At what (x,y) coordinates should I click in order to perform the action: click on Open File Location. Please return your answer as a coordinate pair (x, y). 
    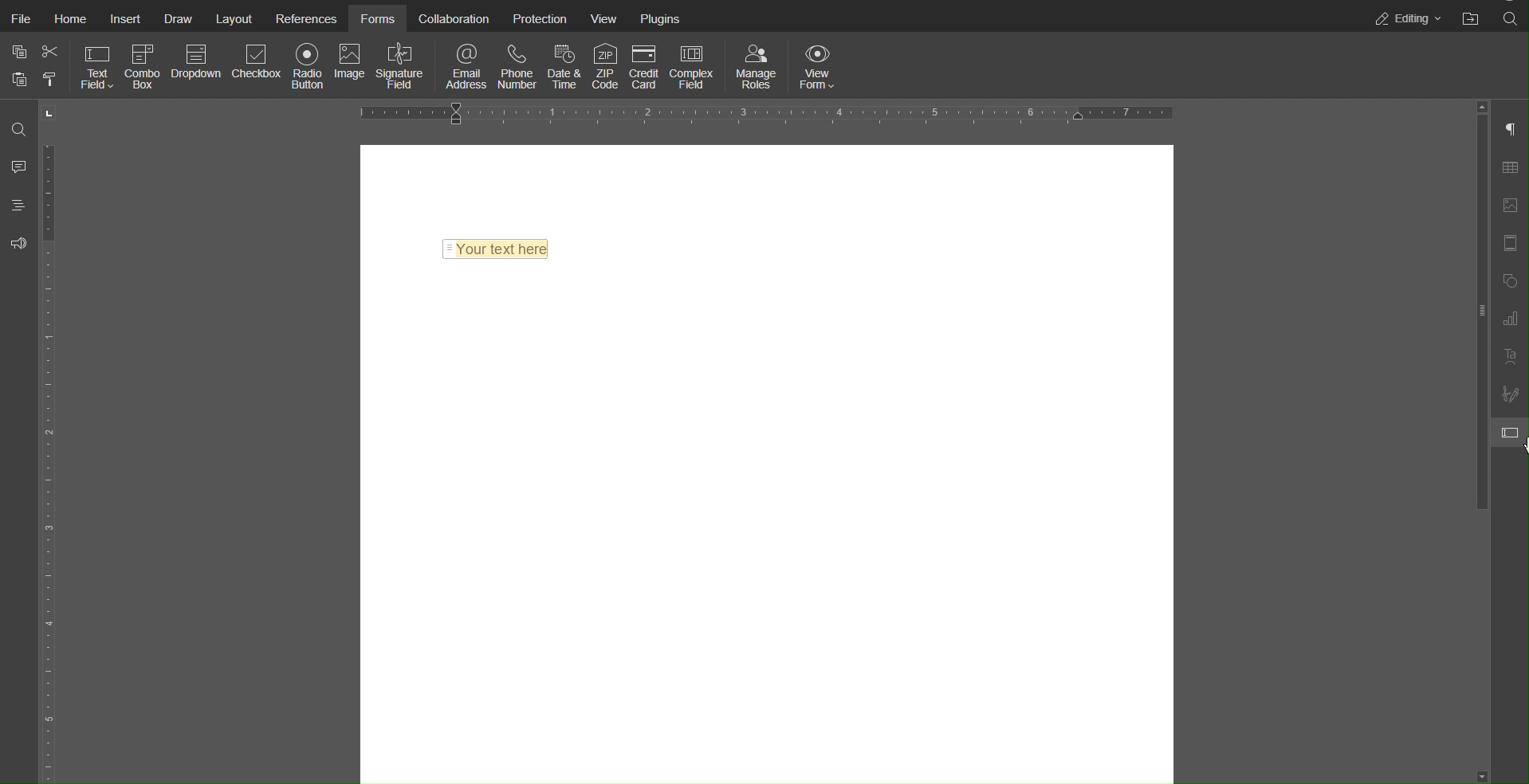
    Looking at the image, I should click on (1472, 17).